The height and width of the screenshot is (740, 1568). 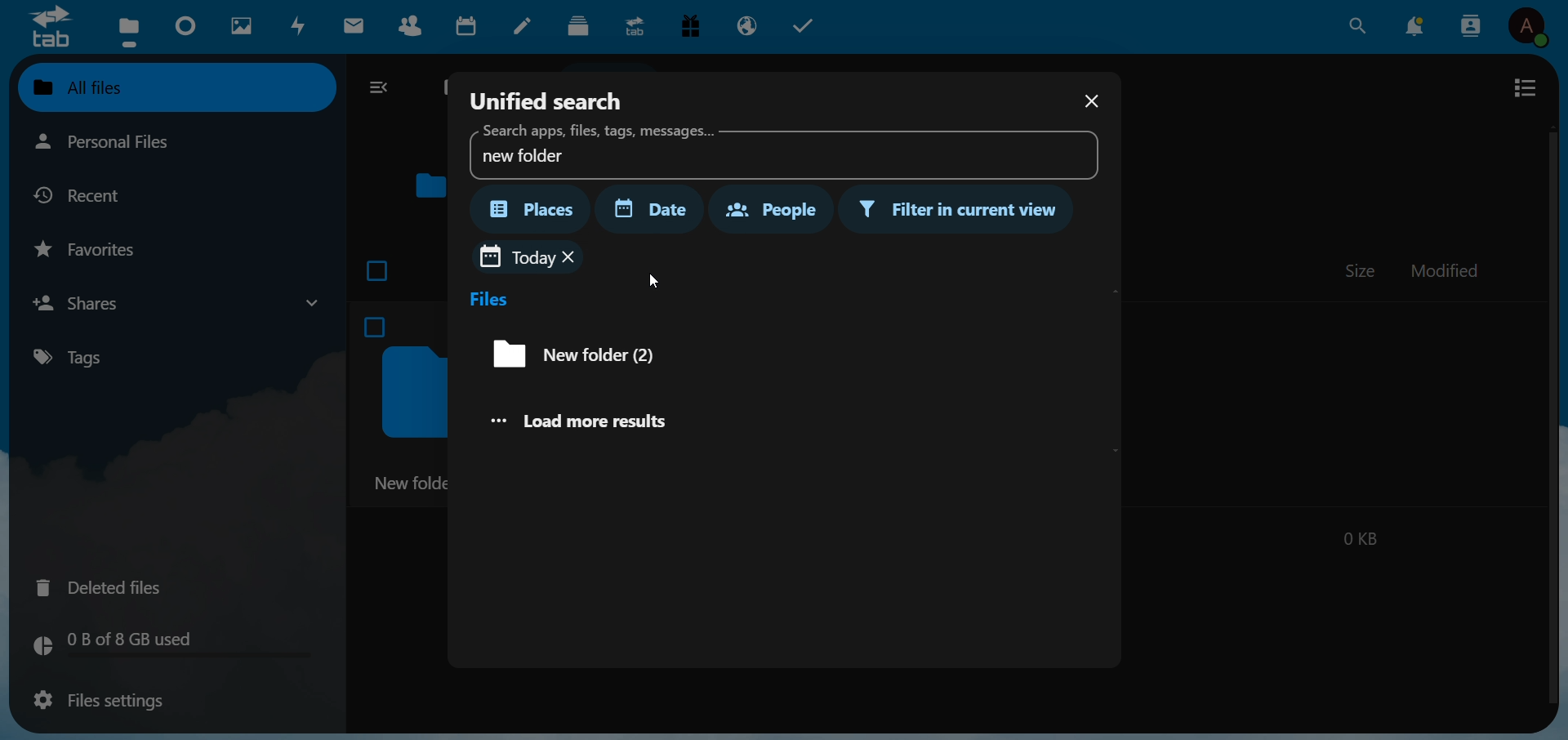 What do you see at coordinates (109, 586) in the screenshot?
I see `deleted files` at bounding box center [109, 586].